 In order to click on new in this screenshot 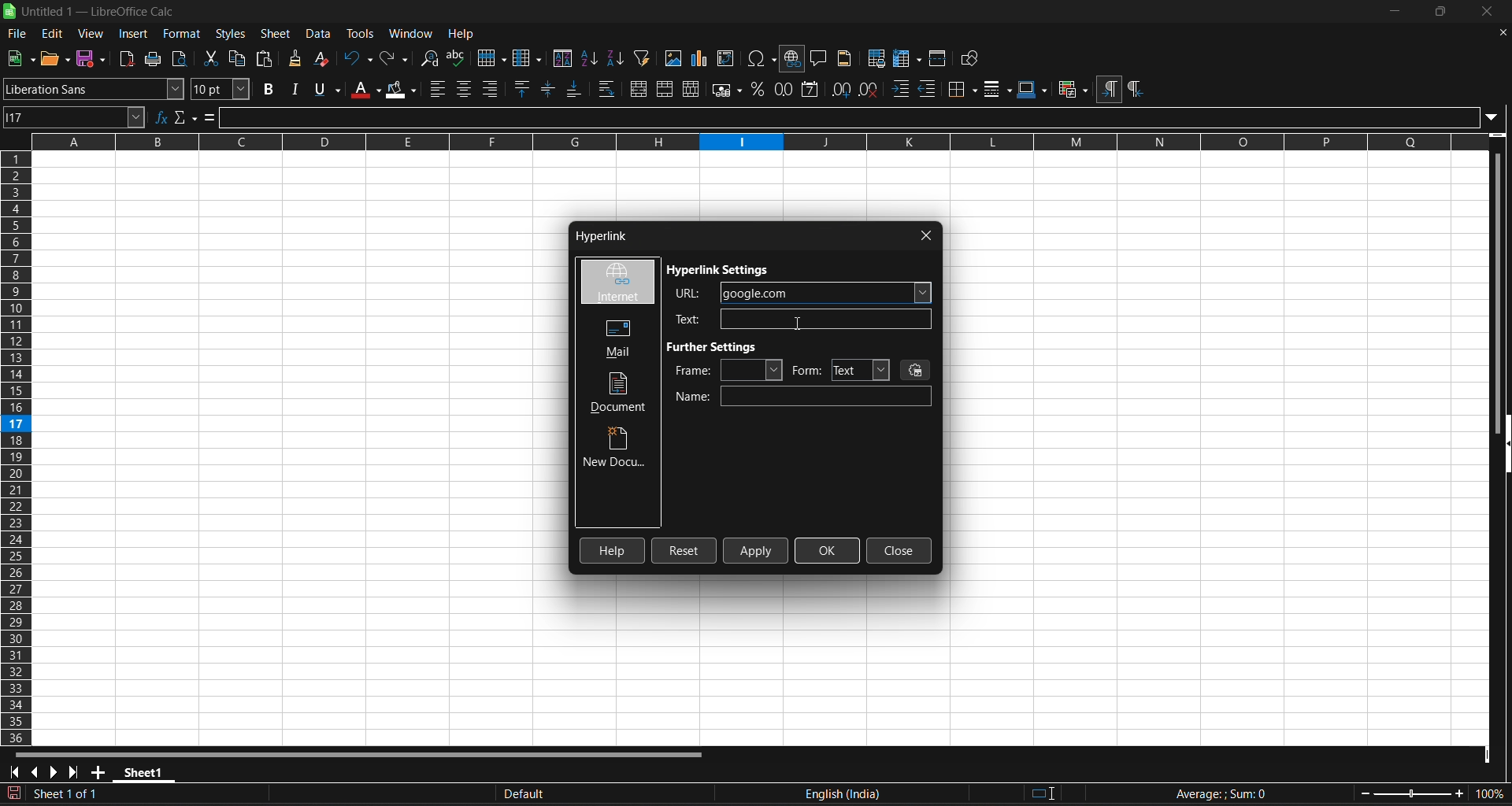, I will do `click(56, 58)`.